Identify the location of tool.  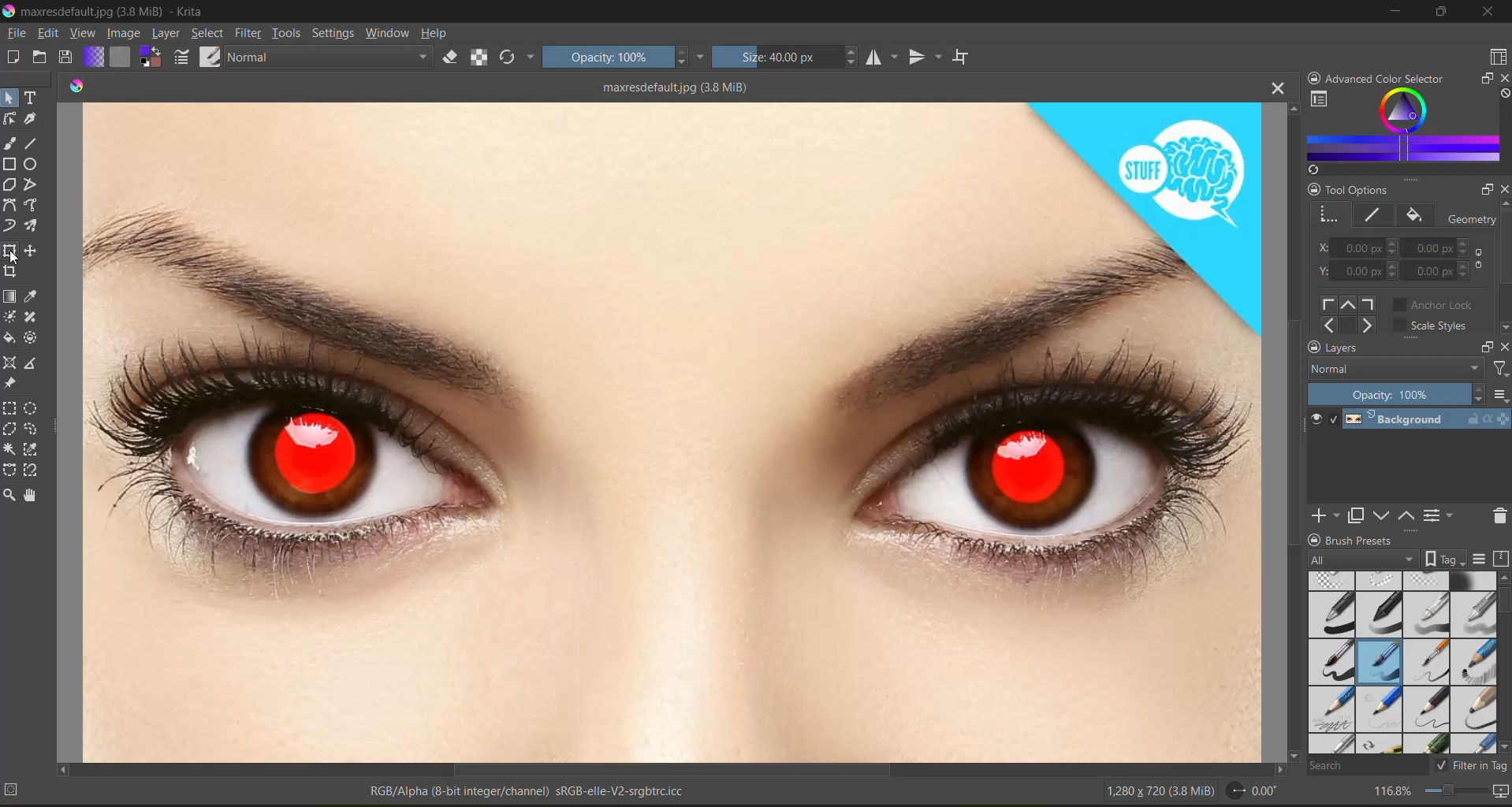
(36, 295).